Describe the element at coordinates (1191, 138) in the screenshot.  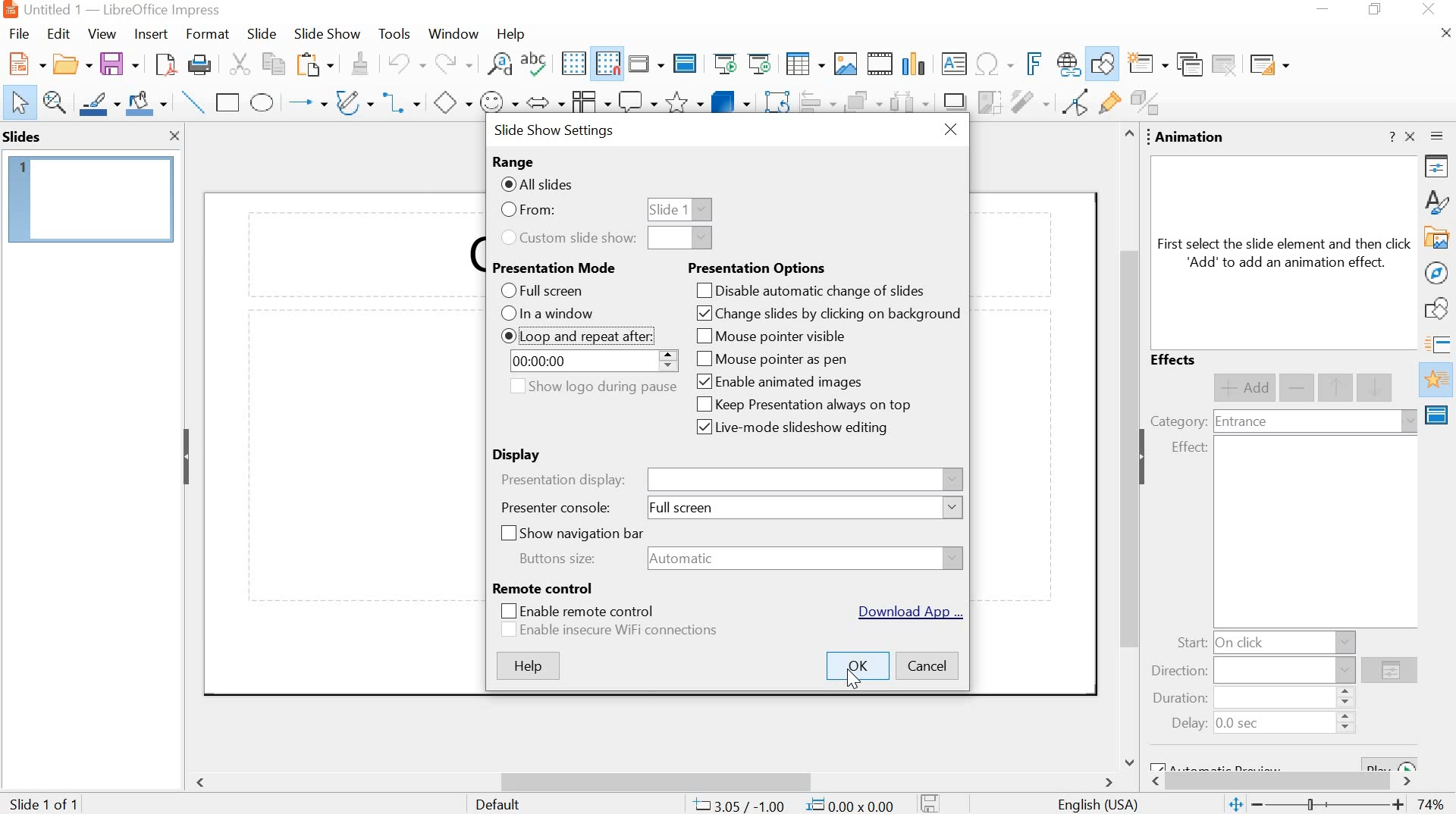
I see `animation` at that location.